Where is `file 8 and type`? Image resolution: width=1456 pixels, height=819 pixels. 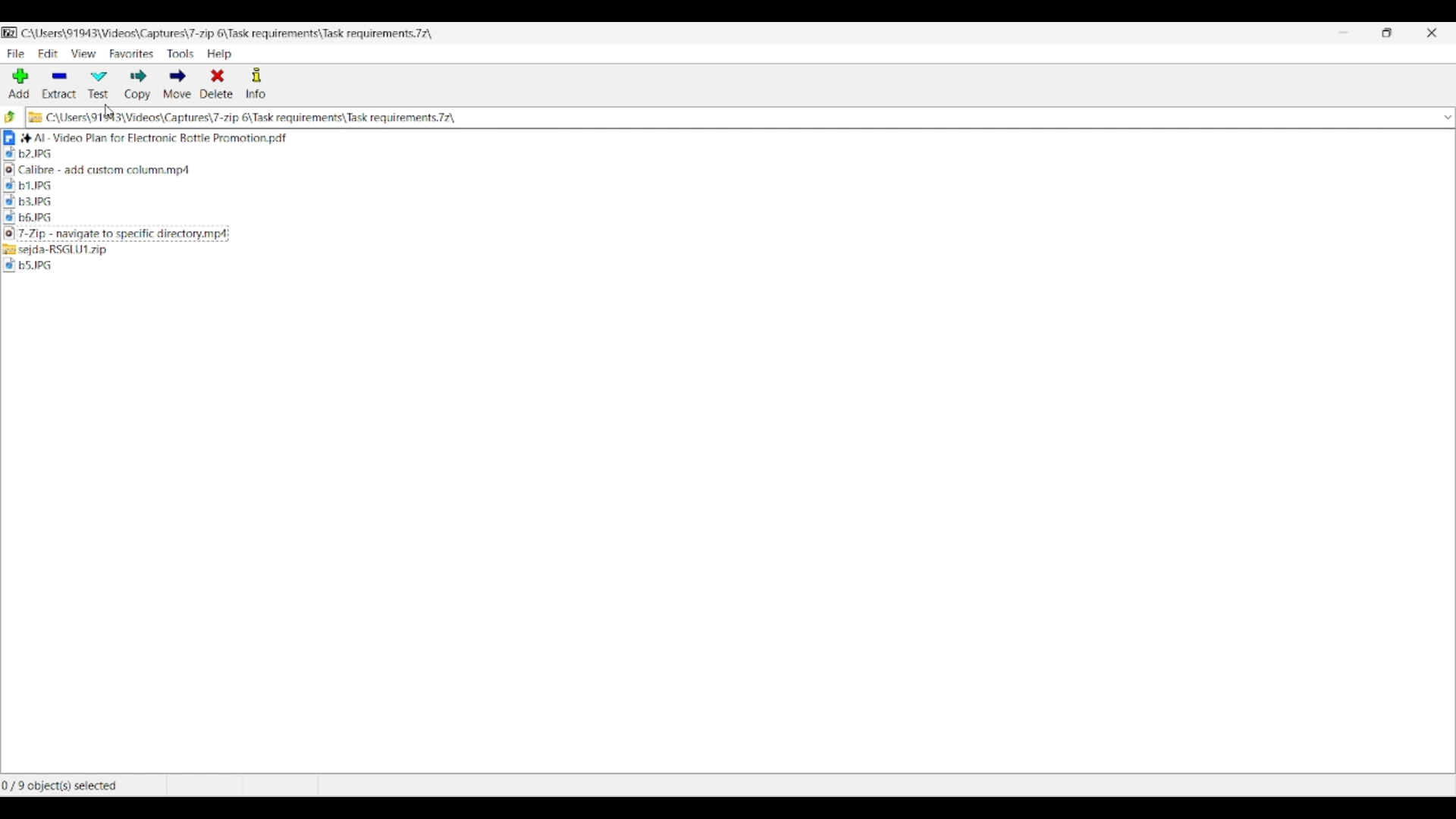
file 8 and type is located at coordinates (414, 249).